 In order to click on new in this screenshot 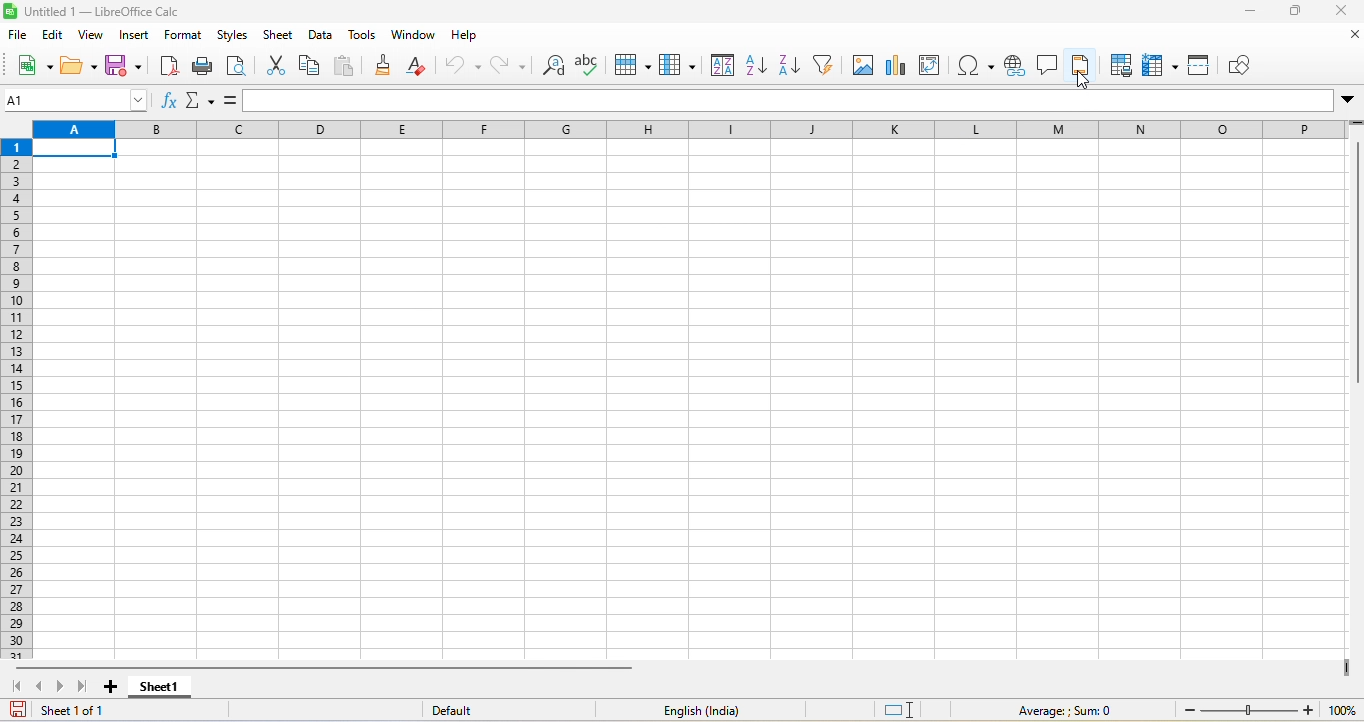, I will do `click(32, 67)`.